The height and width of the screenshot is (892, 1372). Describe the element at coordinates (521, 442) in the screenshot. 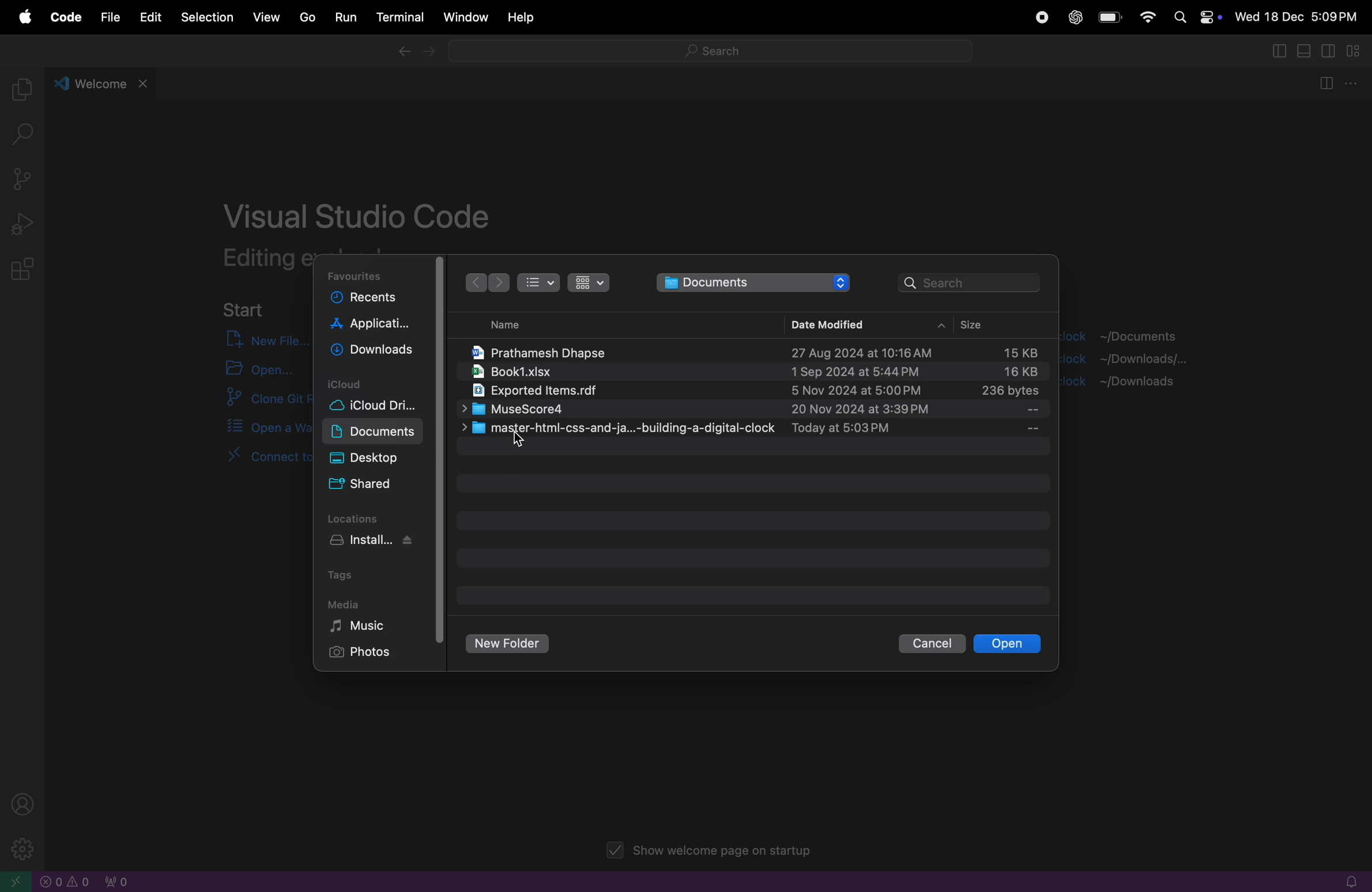

I see `Cursor` at that location.